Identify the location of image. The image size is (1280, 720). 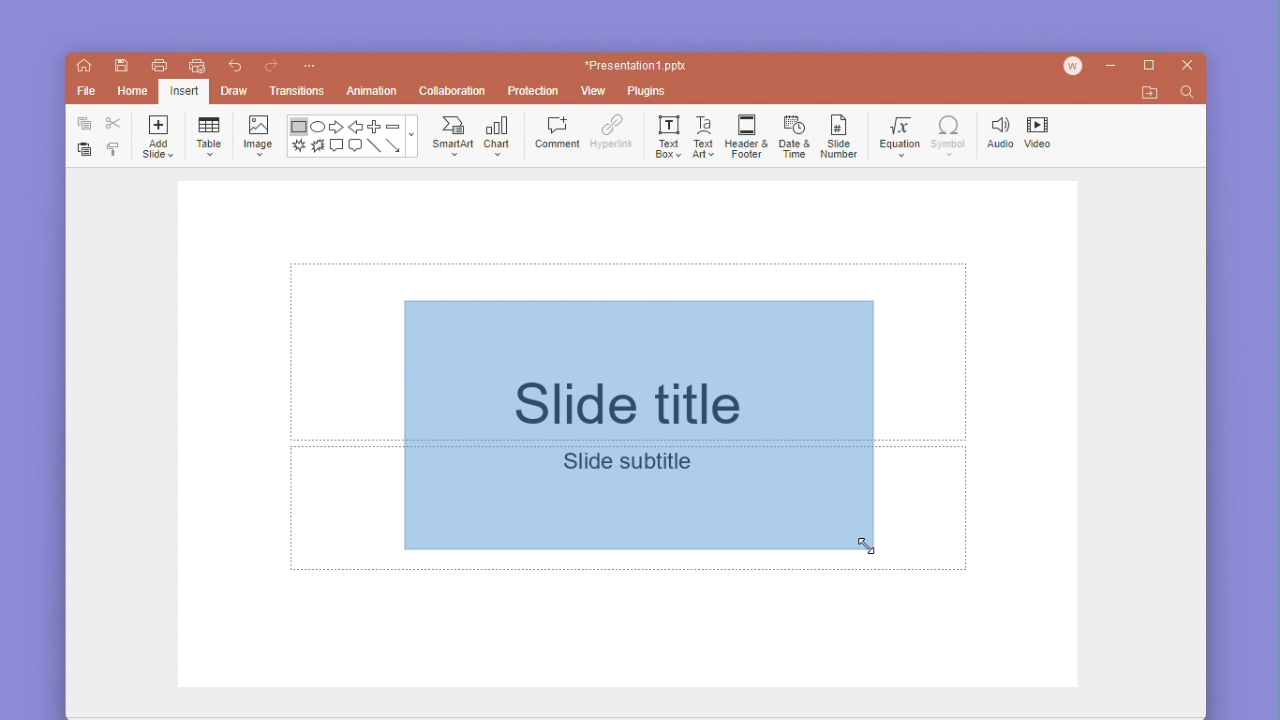
(258, 135).